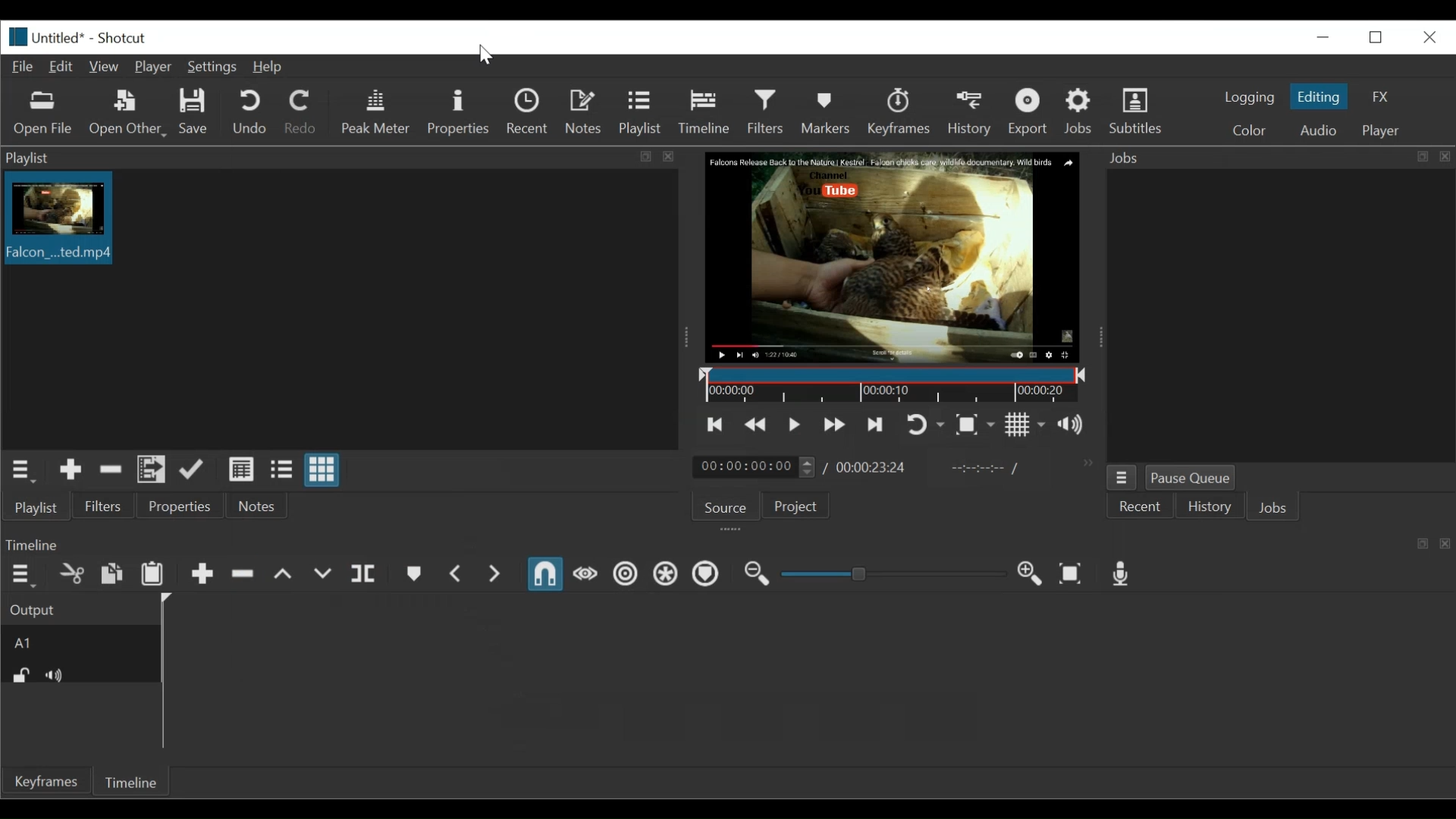 The image size is (1456, 819). I want to click on Mute, so click(55, 675).